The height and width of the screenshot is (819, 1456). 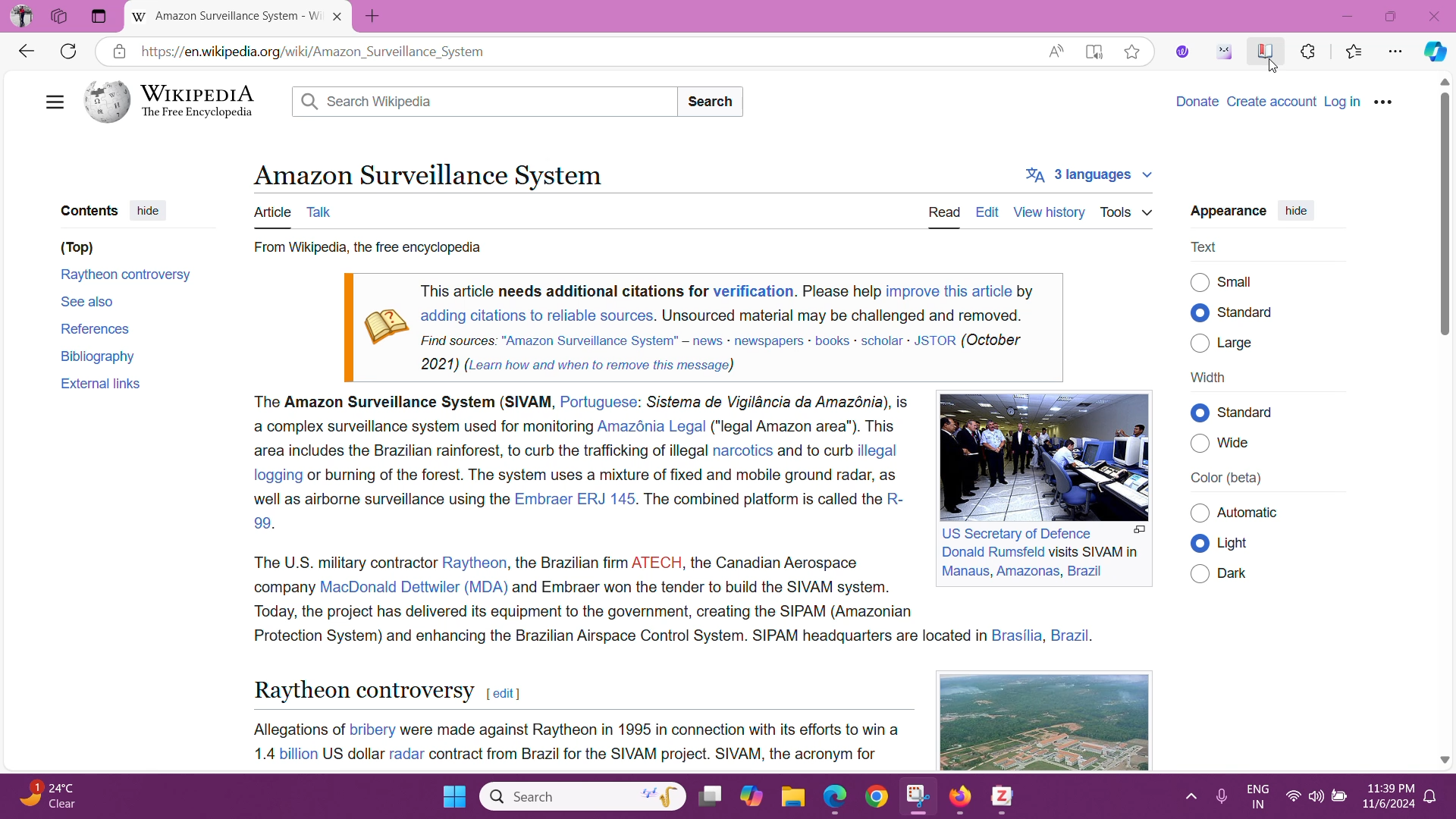 I want to click on Amazon Surveillance System, so click(x=426, y=174).